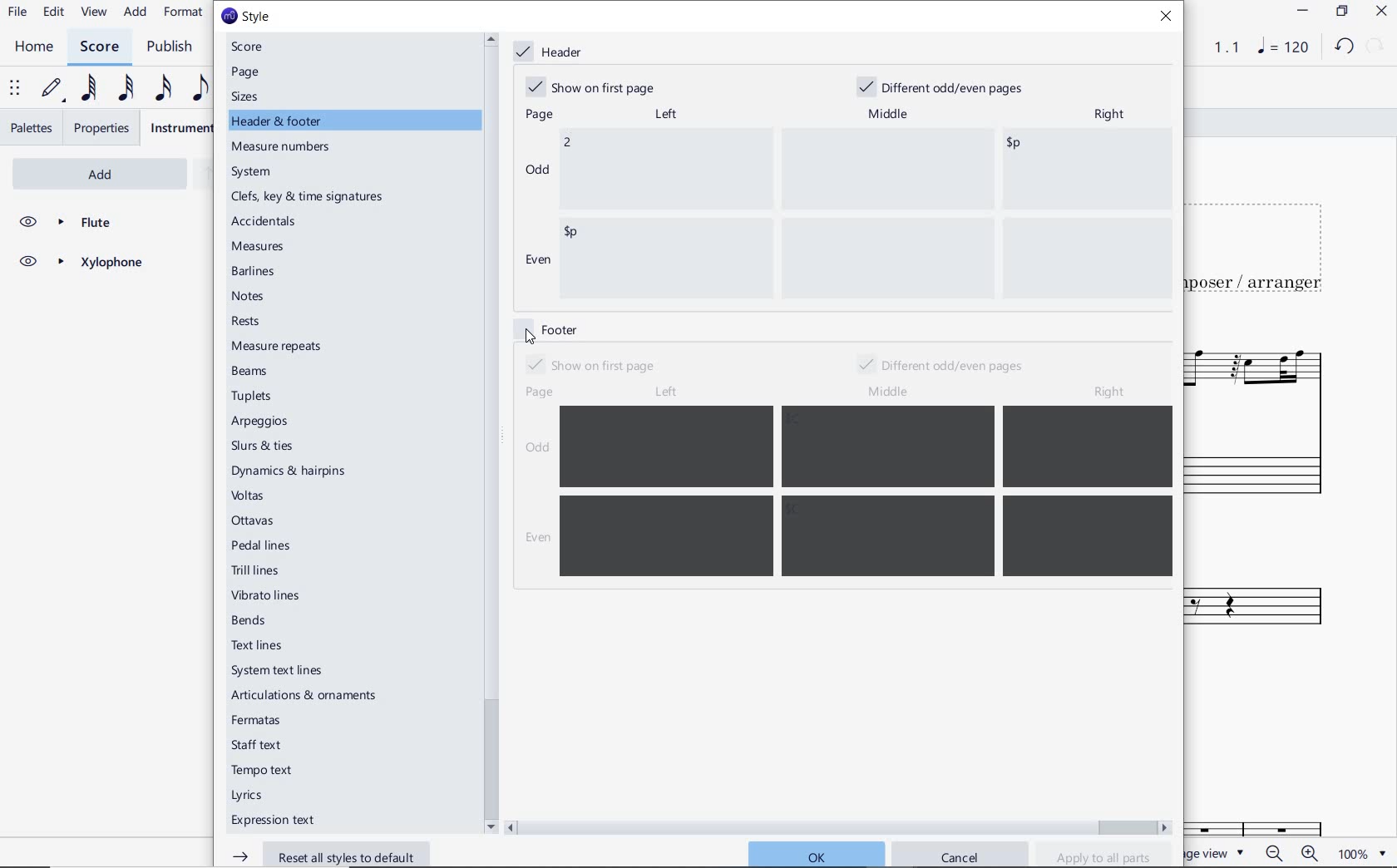  I want to click on reset all styles to default, so click(332, 854).